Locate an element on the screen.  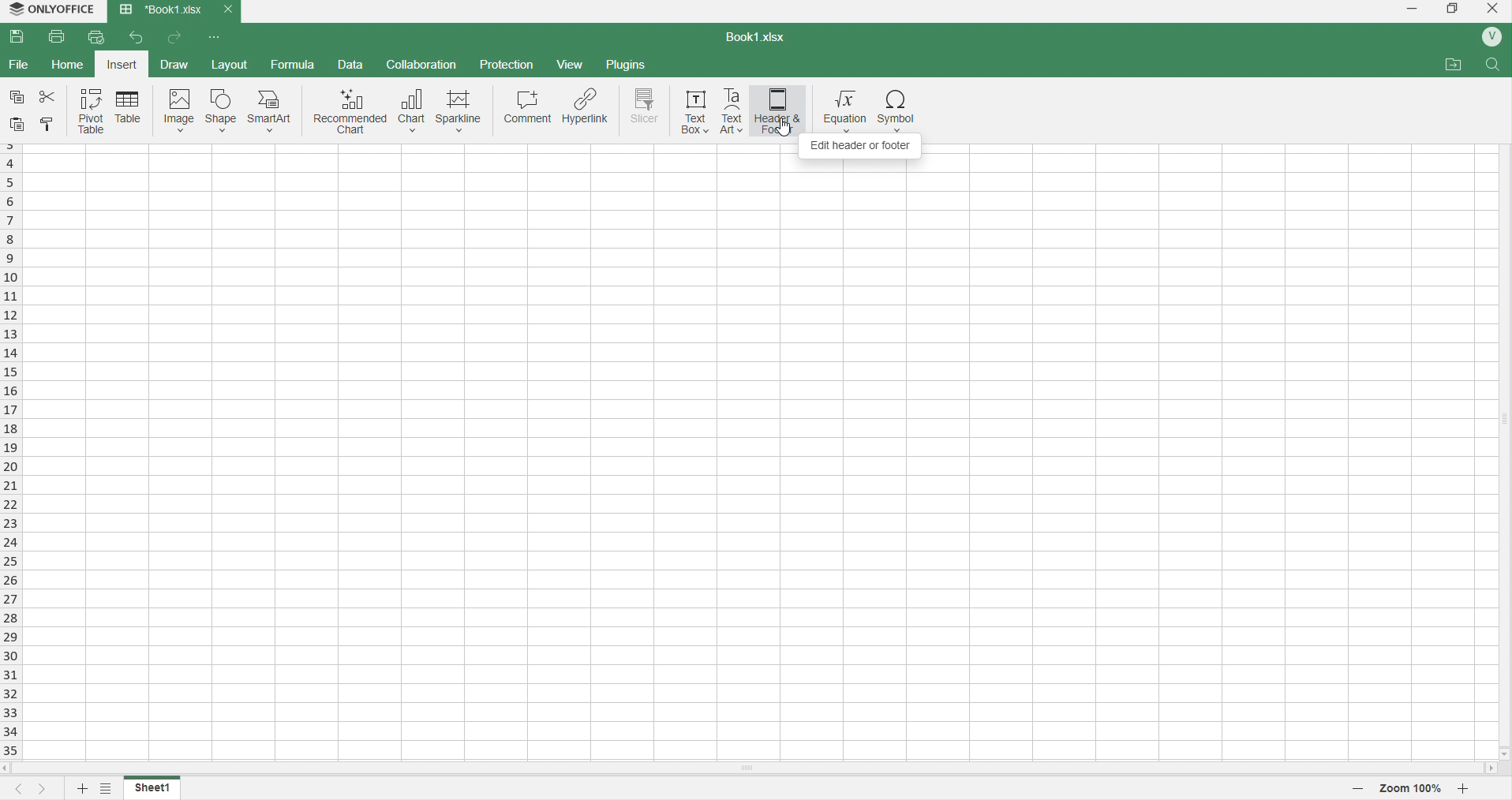
rows is located at coordinates (11, 450).